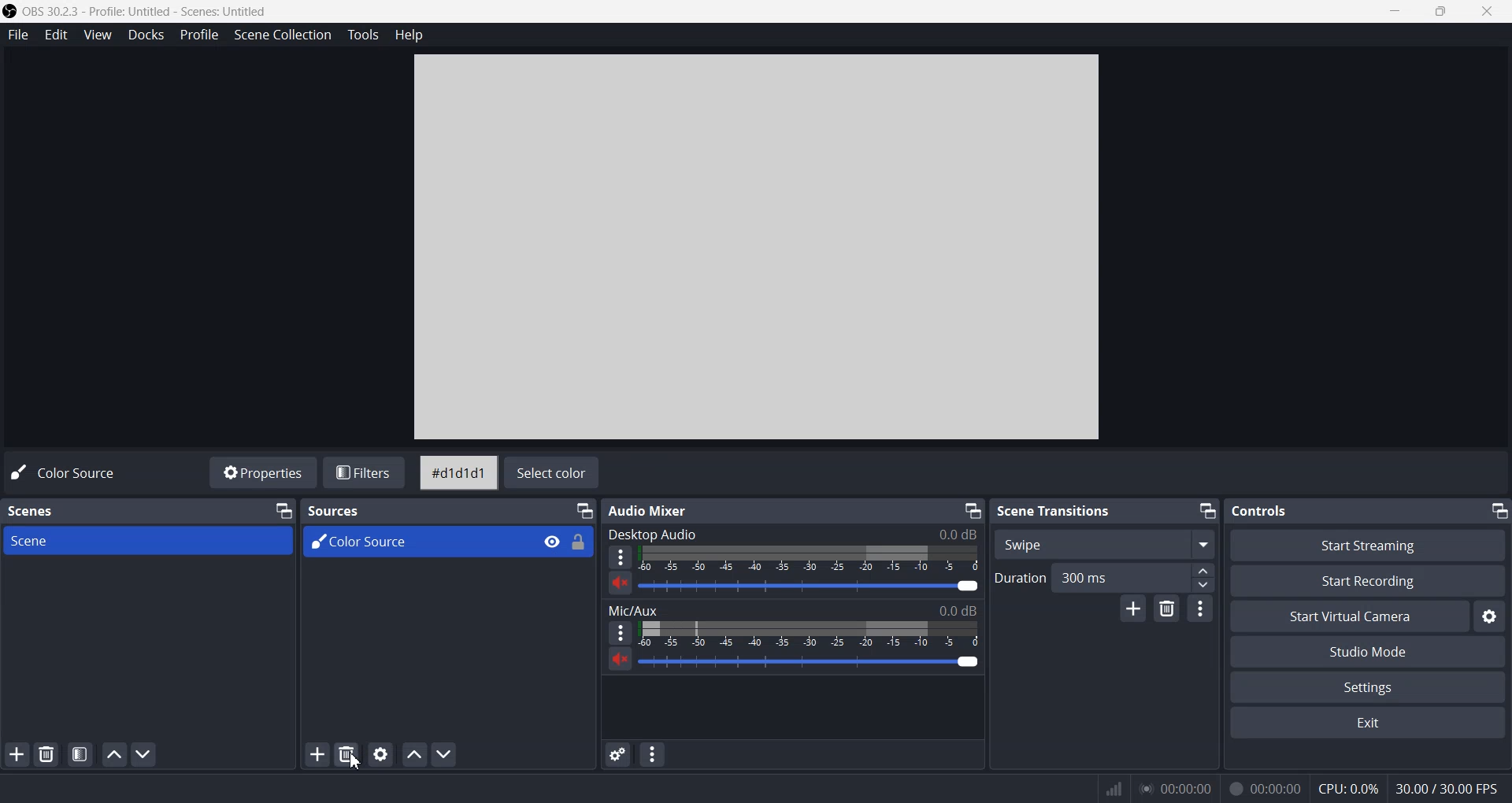  Describe the element at coordinates (1168, 609) in the screenshot. I see `Remove configurable transition` at that location.